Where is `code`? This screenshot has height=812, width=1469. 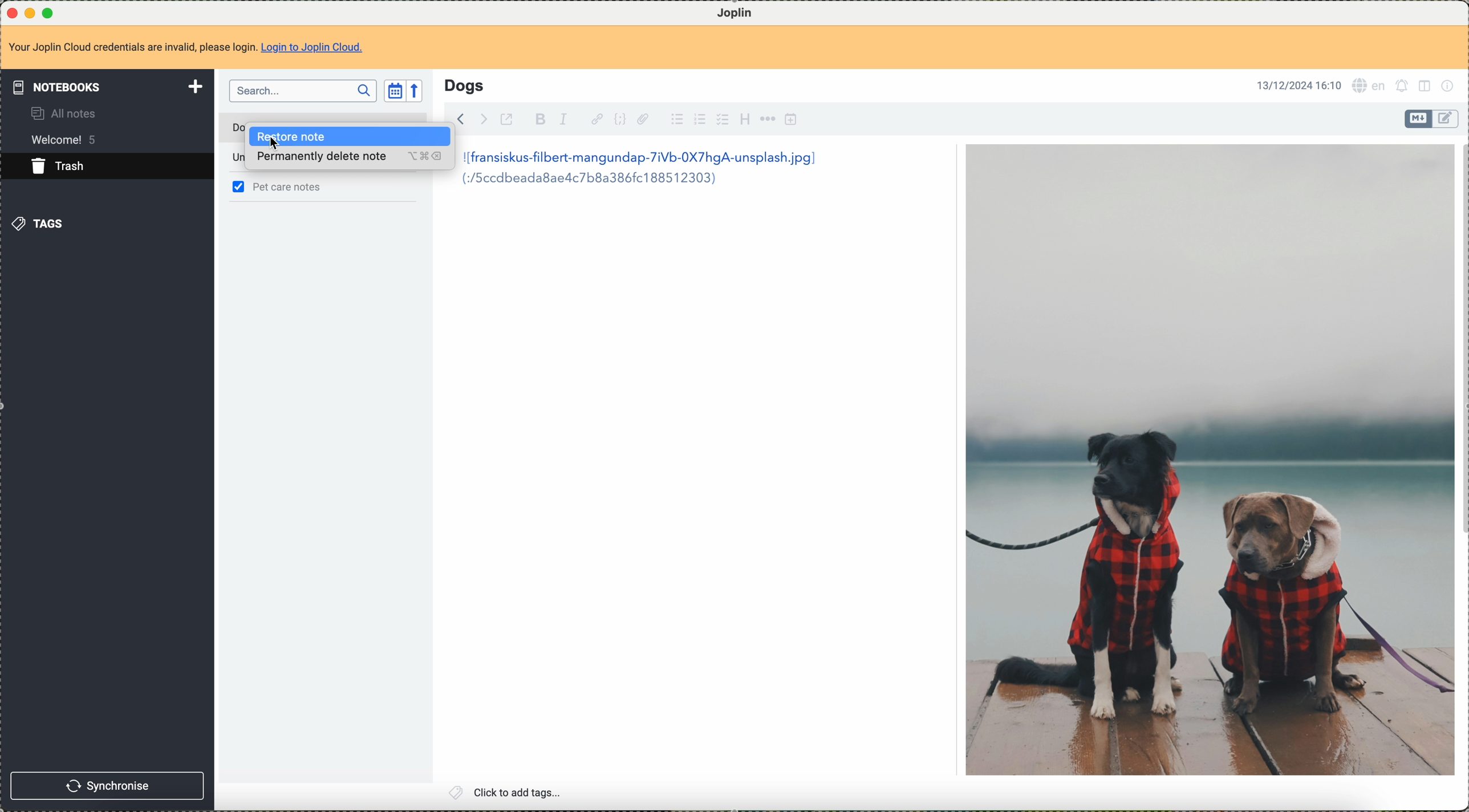 code is located at coordinates (620, 120).